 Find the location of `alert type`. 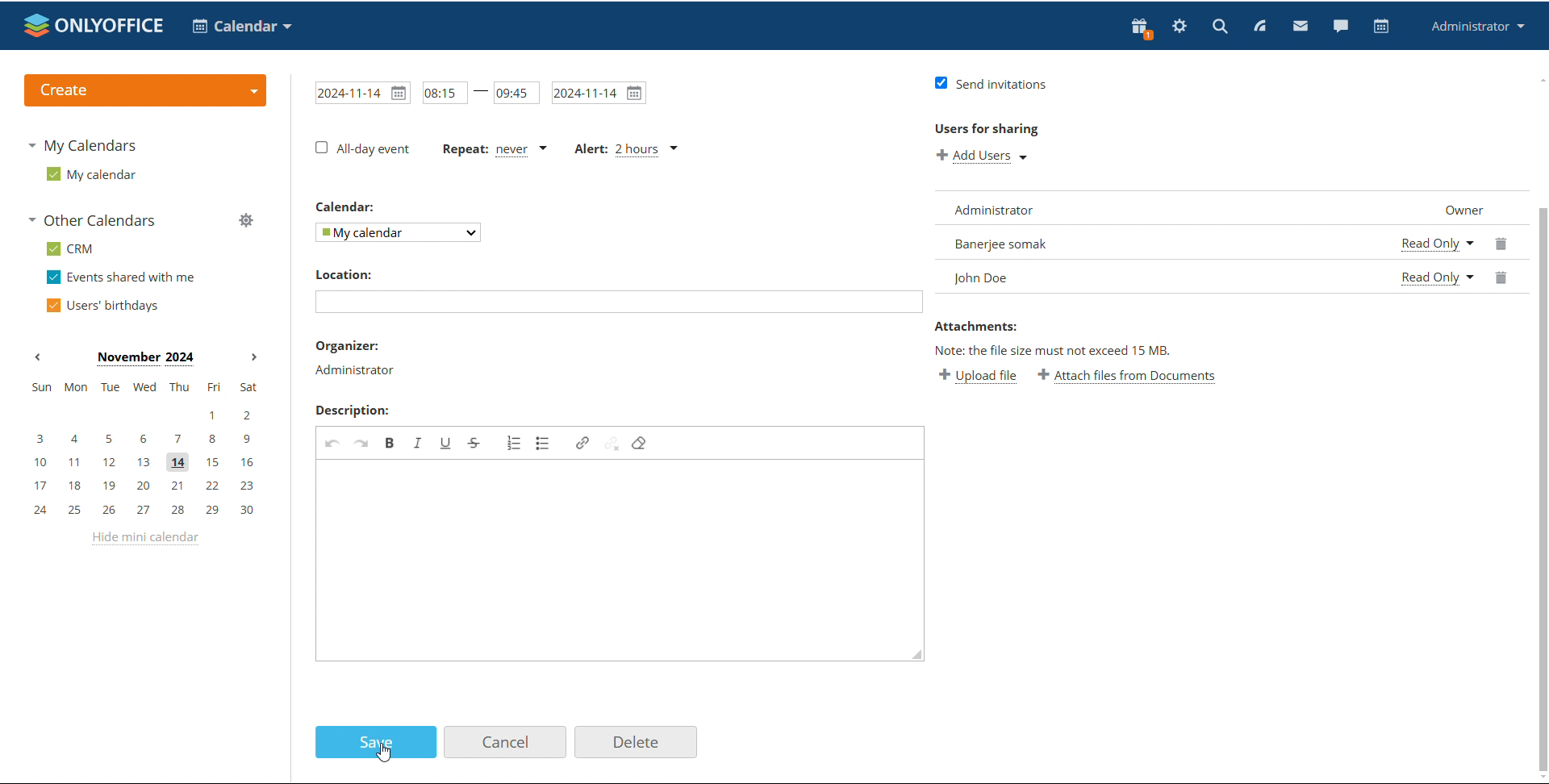

alert type is located at coordinates (628, 150).